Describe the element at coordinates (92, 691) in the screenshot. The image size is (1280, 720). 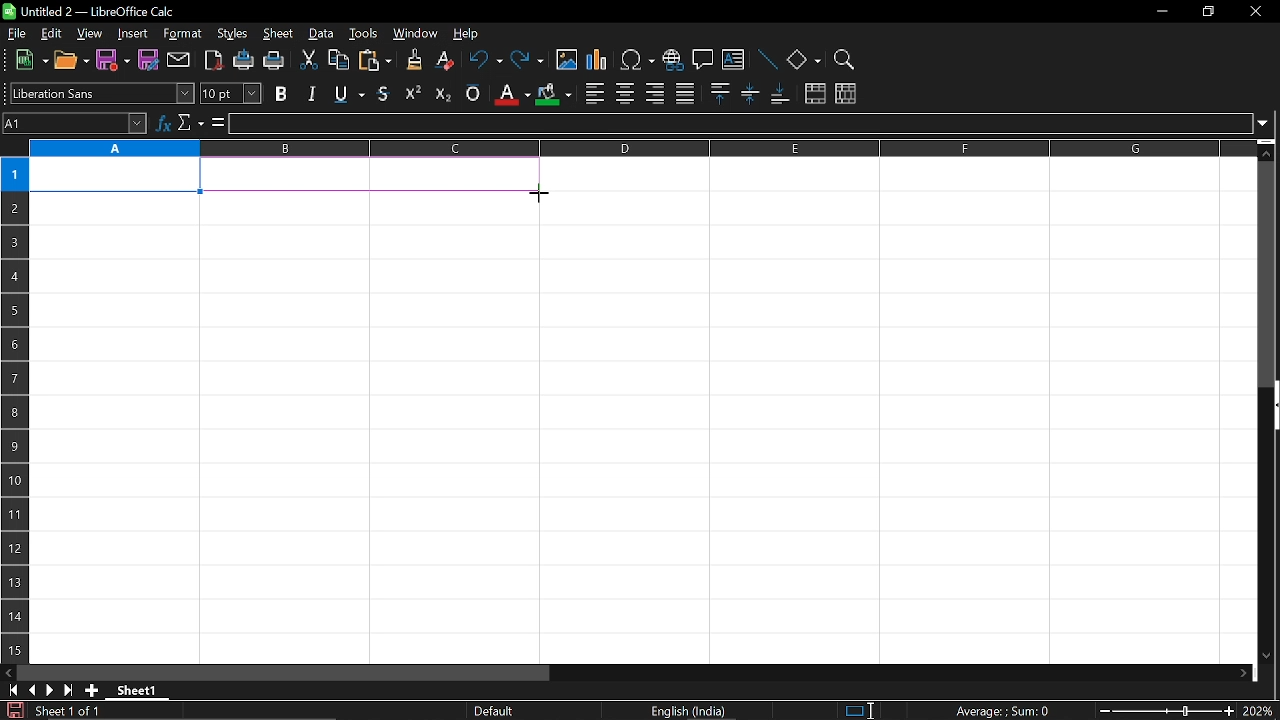
I see `add sheet` at that location.